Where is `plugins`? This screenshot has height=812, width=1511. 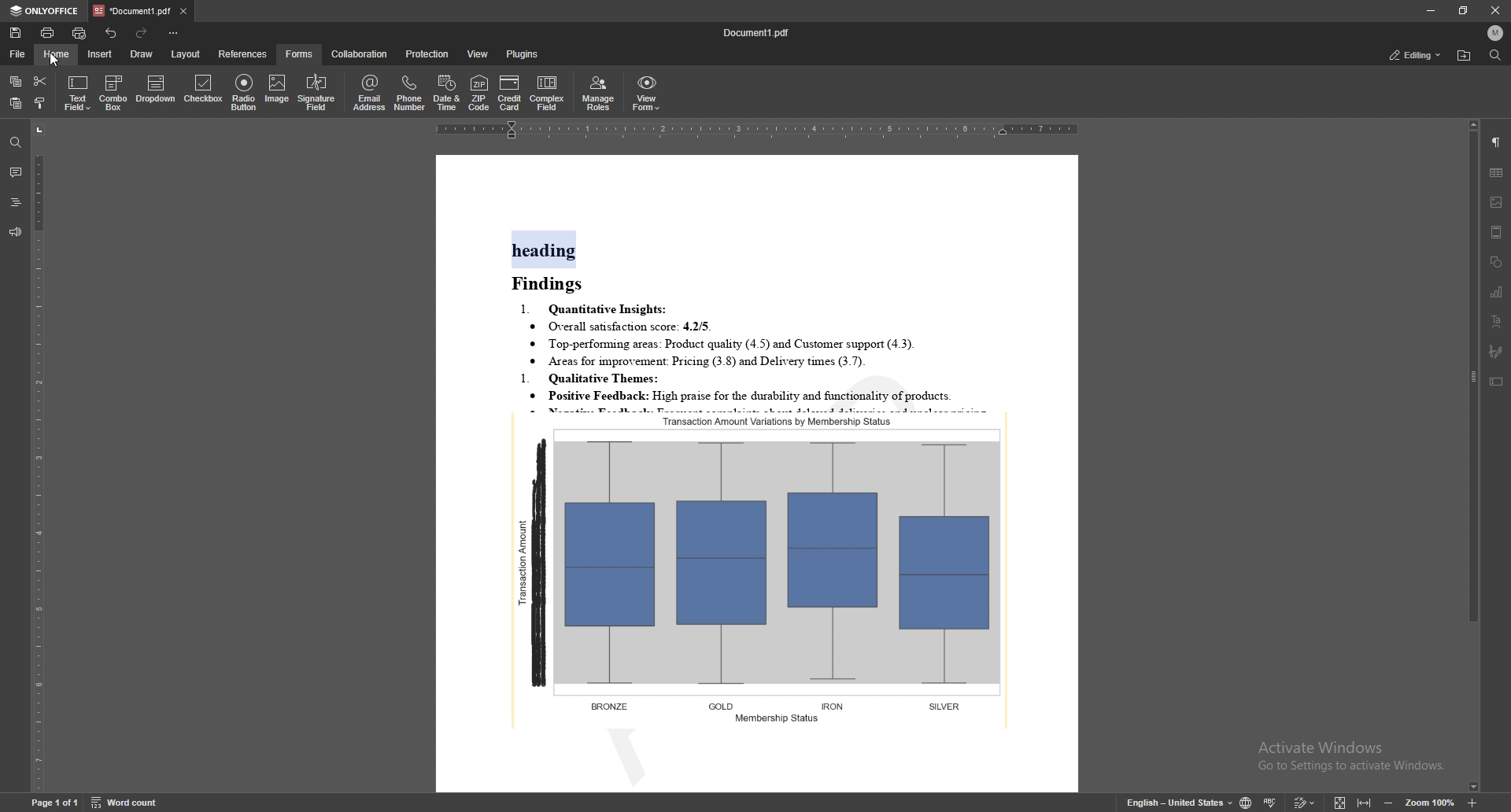
plugins is located at coordinates (522, 54).